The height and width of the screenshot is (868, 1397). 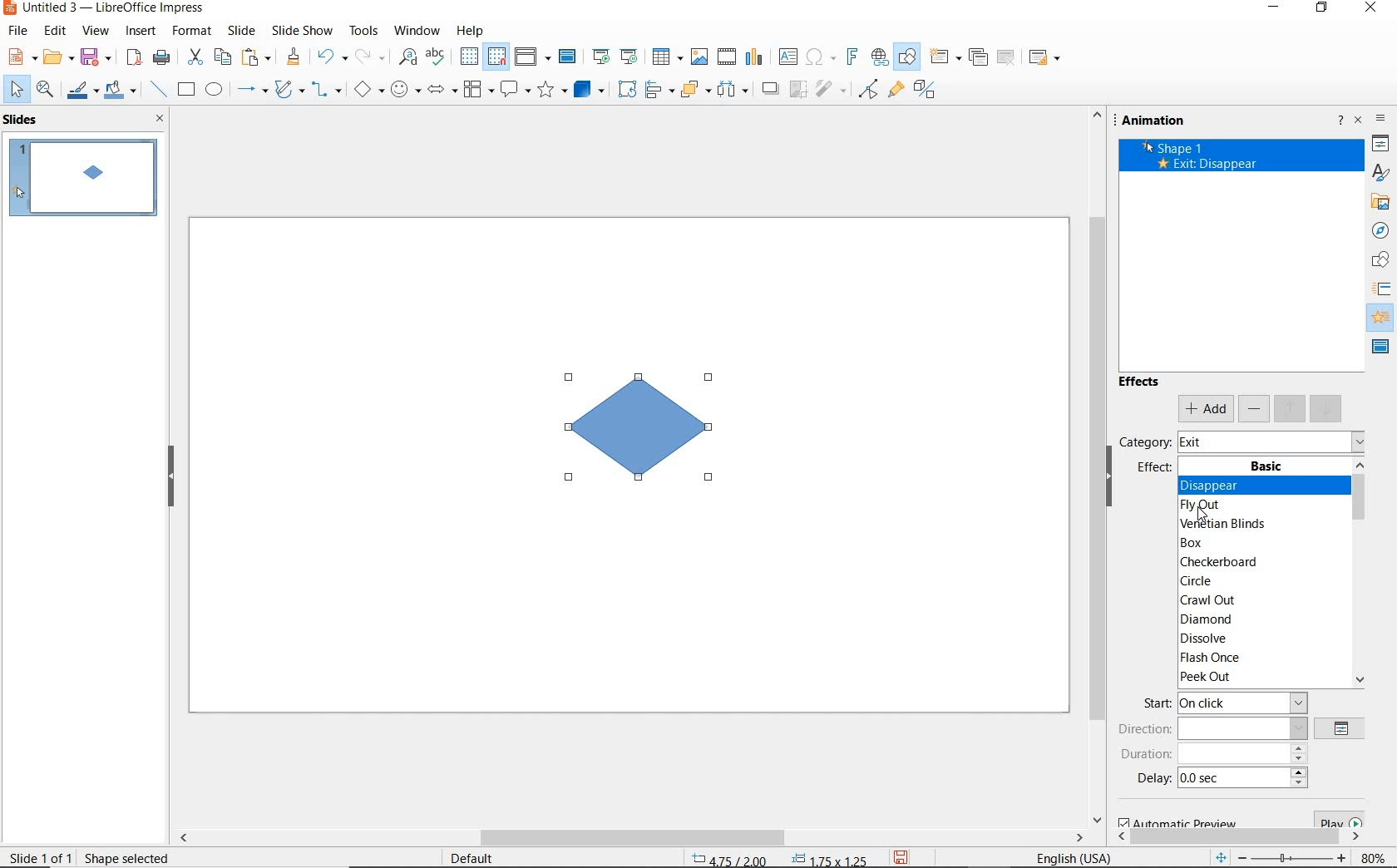 What do you see at coordinates (787, 57) in the screenshot?
I see `insert text box` at bounding box center [787, 57].